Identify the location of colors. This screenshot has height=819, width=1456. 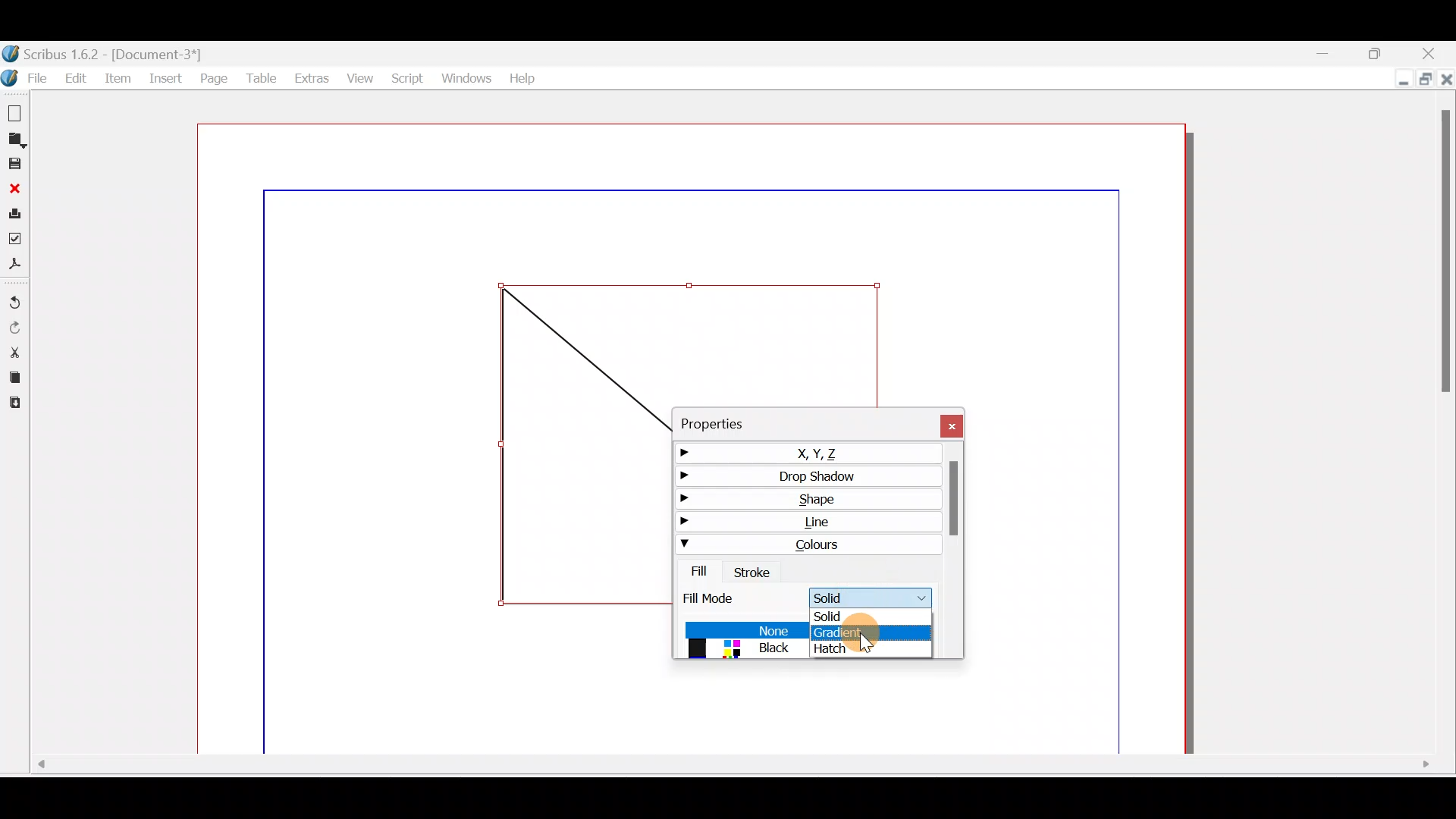
(730, 651).